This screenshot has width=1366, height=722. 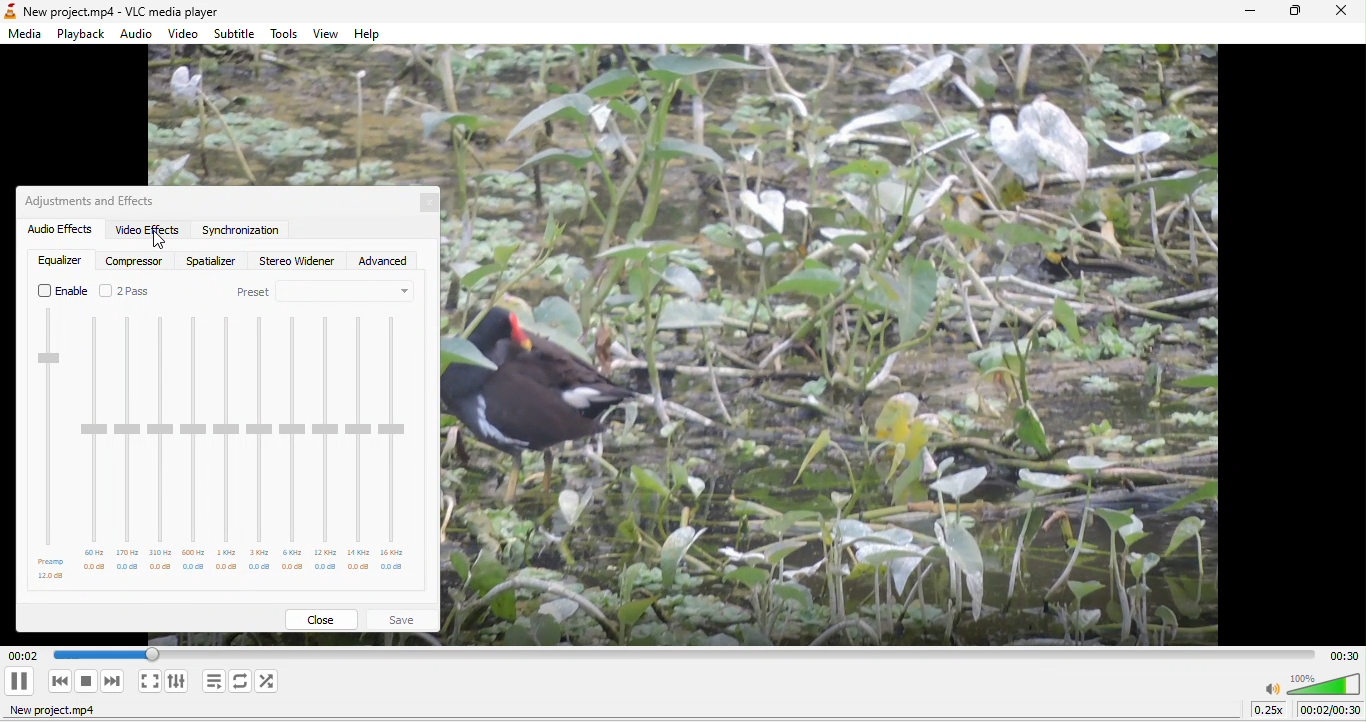 I want to click on help, so click(x=373, y=35).